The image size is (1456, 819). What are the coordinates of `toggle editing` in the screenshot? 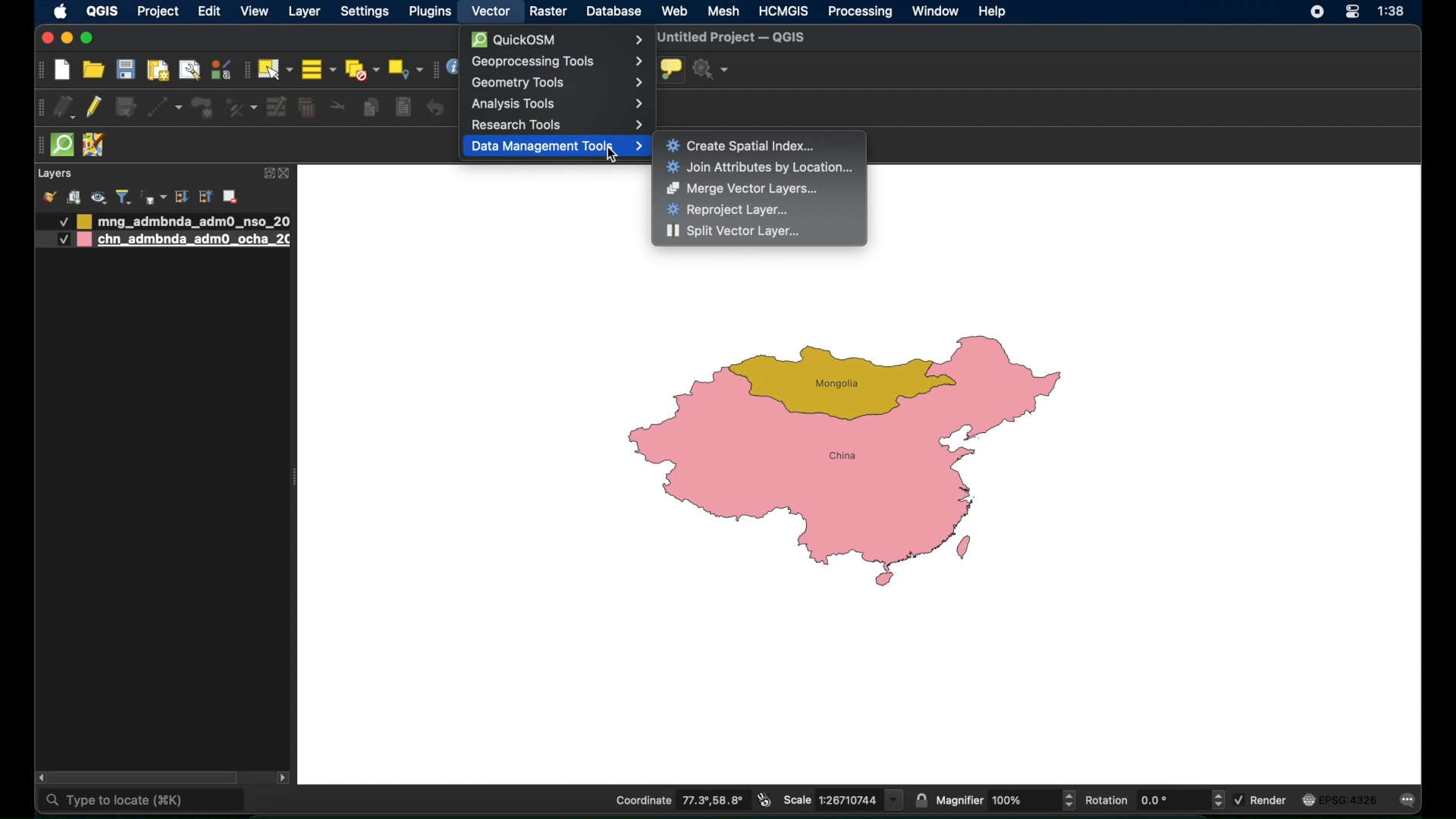 It's located at (95, 109).